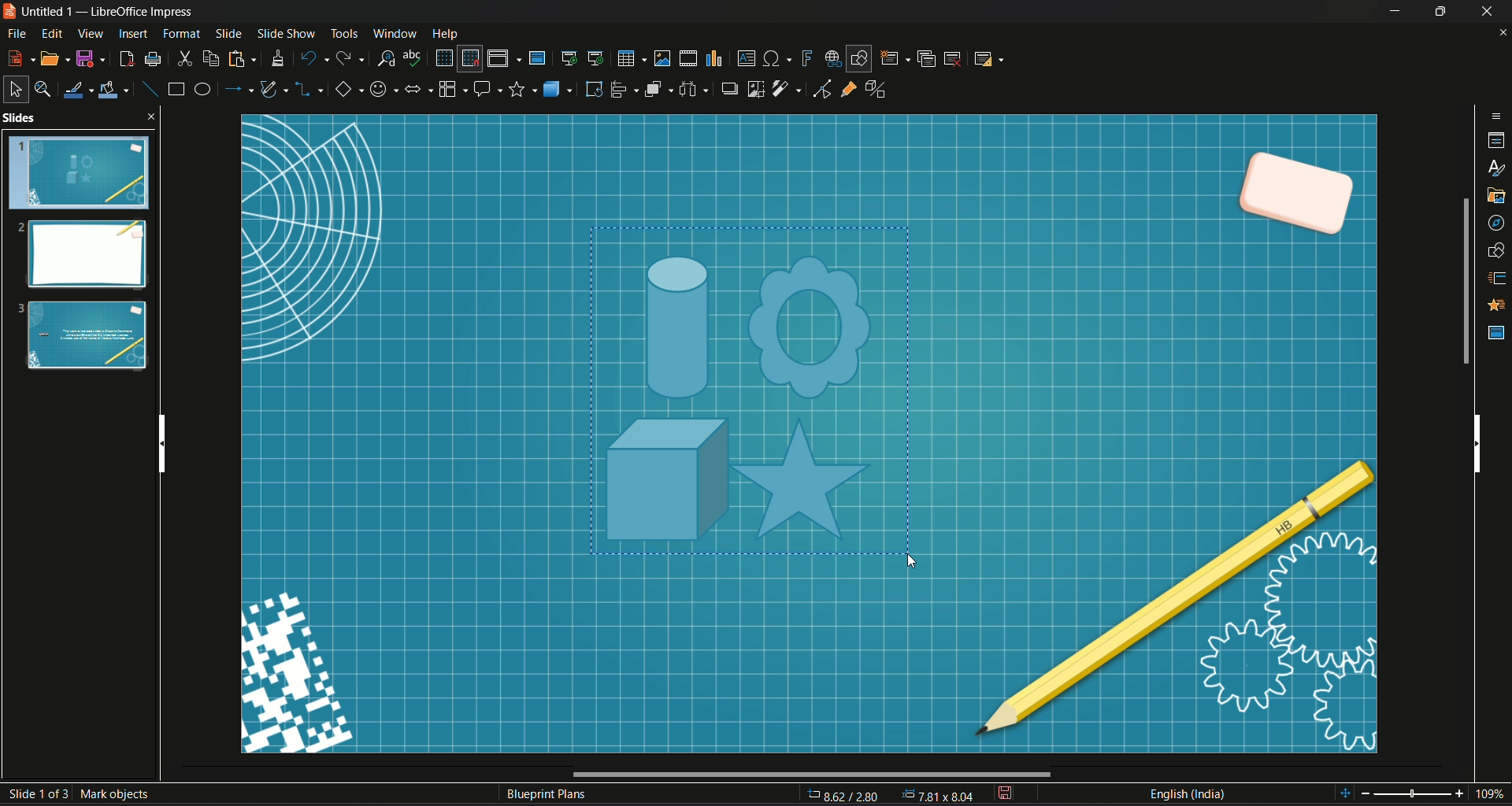 The height and width of the screenshot is (806, 1512). Describe the element at coordinates (1503, 34) in the screenshot. I see `close` at that location.